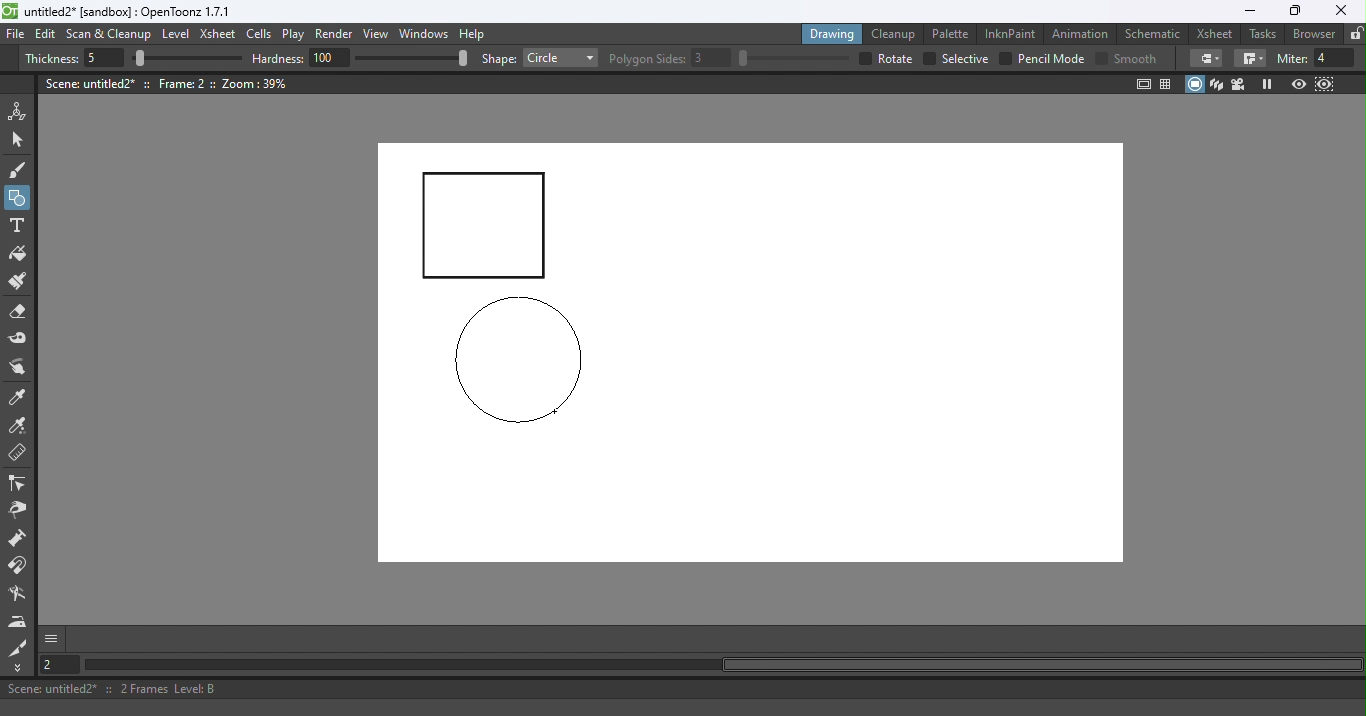  What do you see at coordinates (187, 59) in the screenshot?
I see `slider` at bounding box center [187, 59].